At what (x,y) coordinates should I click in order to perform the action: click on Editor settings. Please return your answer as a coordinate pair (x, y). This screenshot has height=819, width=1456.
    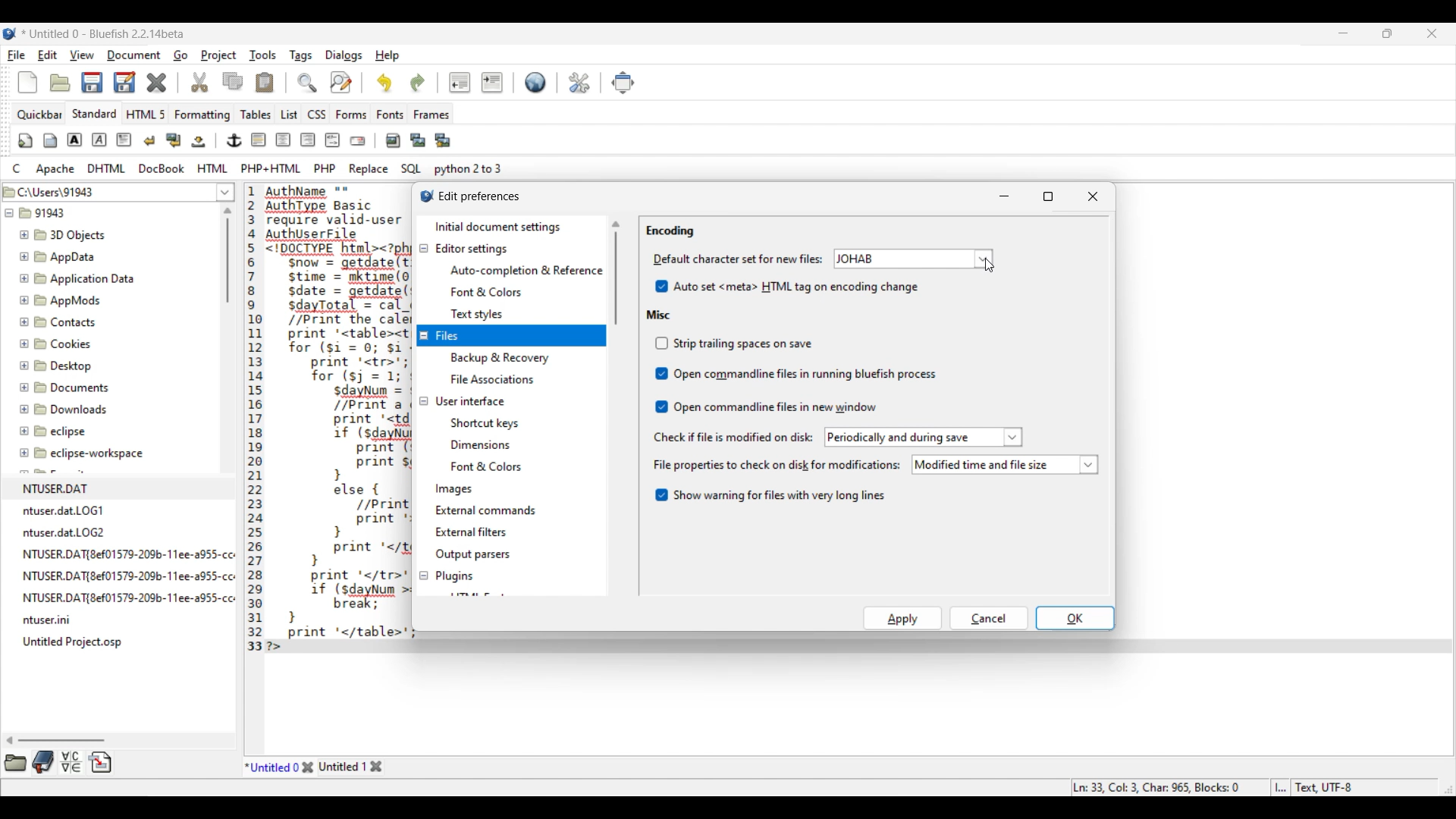
    Looking at the image, I should click on (473, 249).